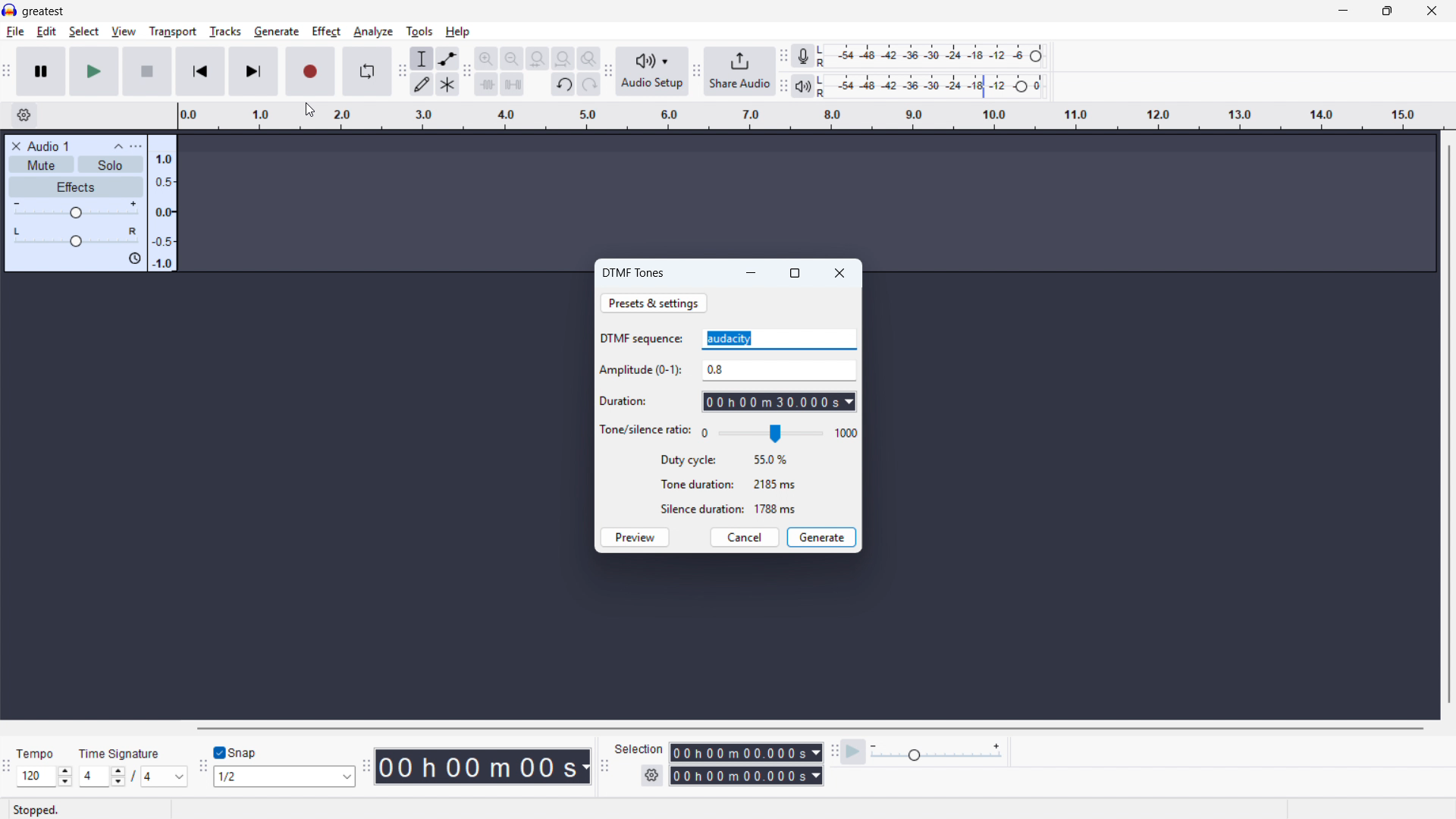 The width and height of the screenshot is (1456, 819). What do you see at coordinates (588, 86) in the screenshot?
I see `redo` at bounding box center [588, 86].